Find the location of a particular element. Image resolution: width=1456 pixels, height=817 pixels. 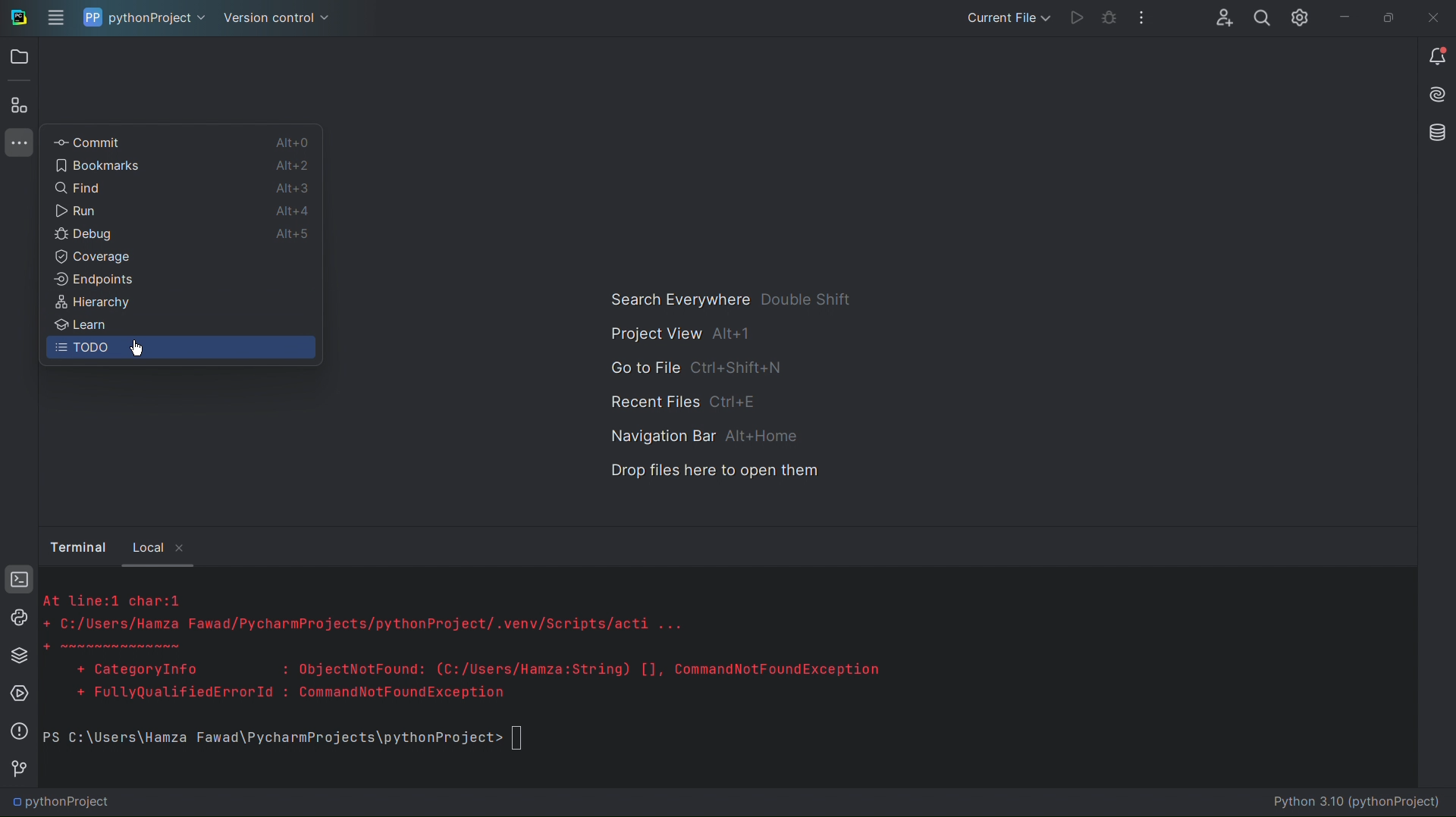

Services is located at coordinates (15, 694).